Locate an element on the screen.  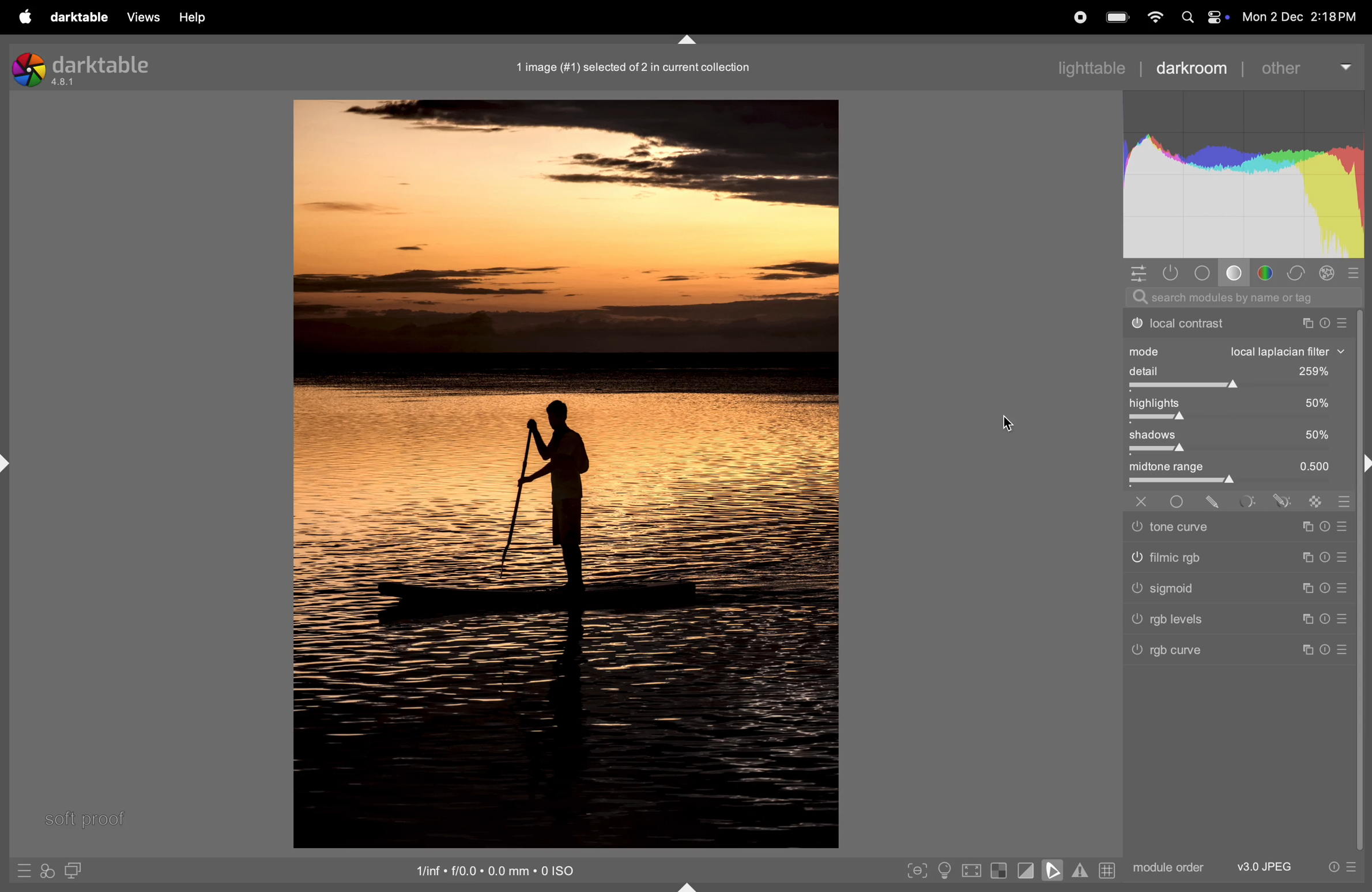
views is located at coordinates (146, 17).